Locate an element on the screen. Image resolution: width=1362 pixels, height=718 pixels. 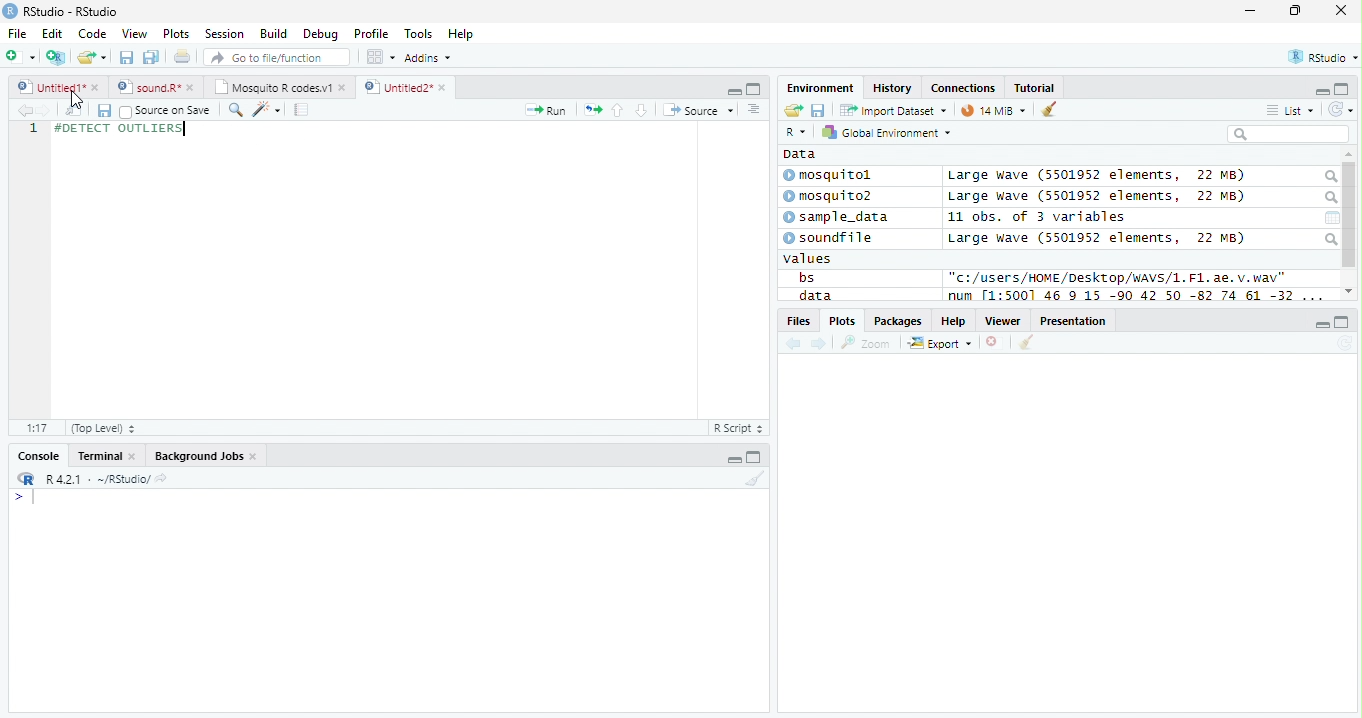
open an existing file is located at coordinates (92, 57).